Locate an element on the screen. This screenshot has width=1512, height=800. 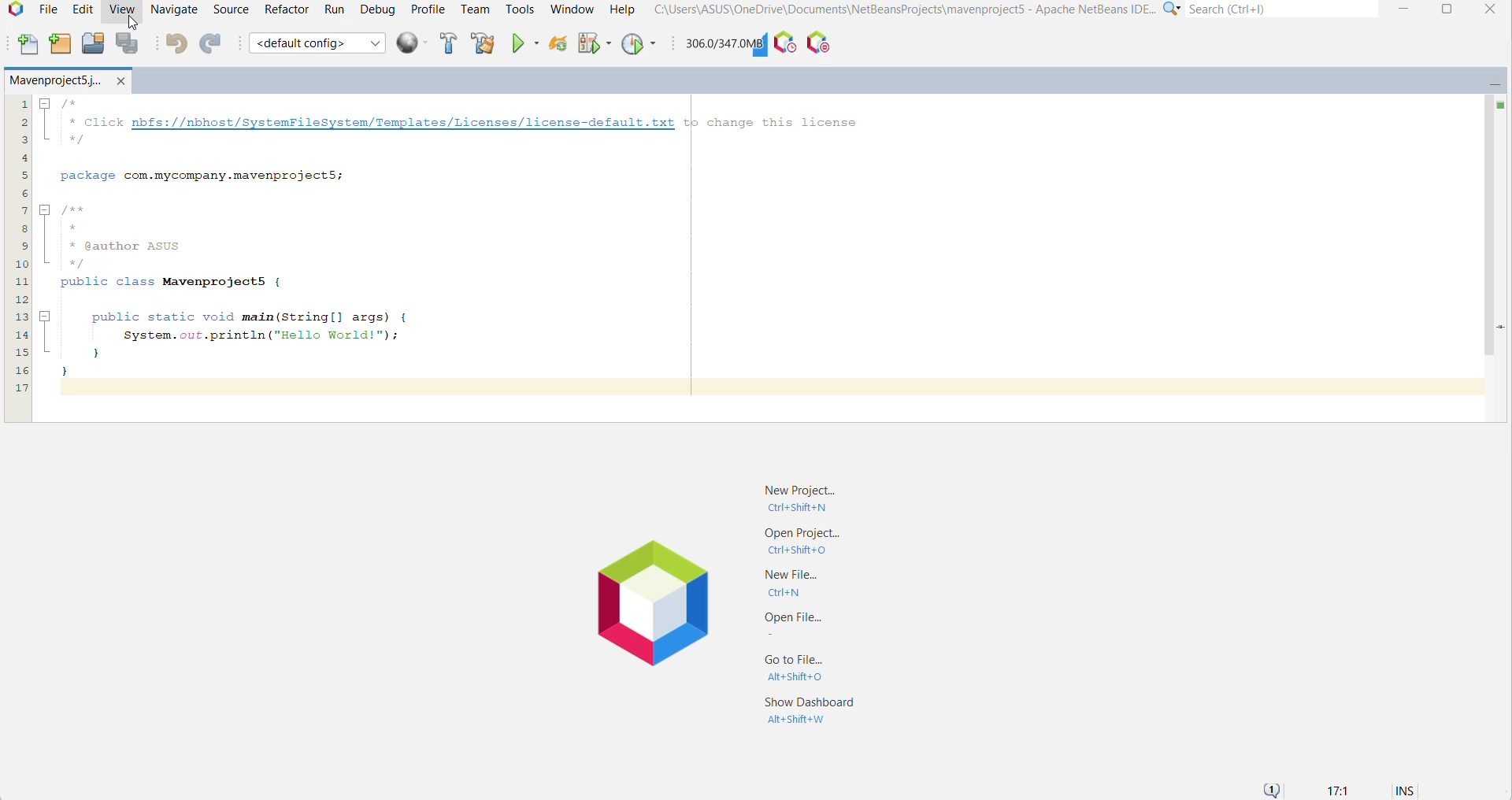
Application Logo is located at coordinates (13, 10).